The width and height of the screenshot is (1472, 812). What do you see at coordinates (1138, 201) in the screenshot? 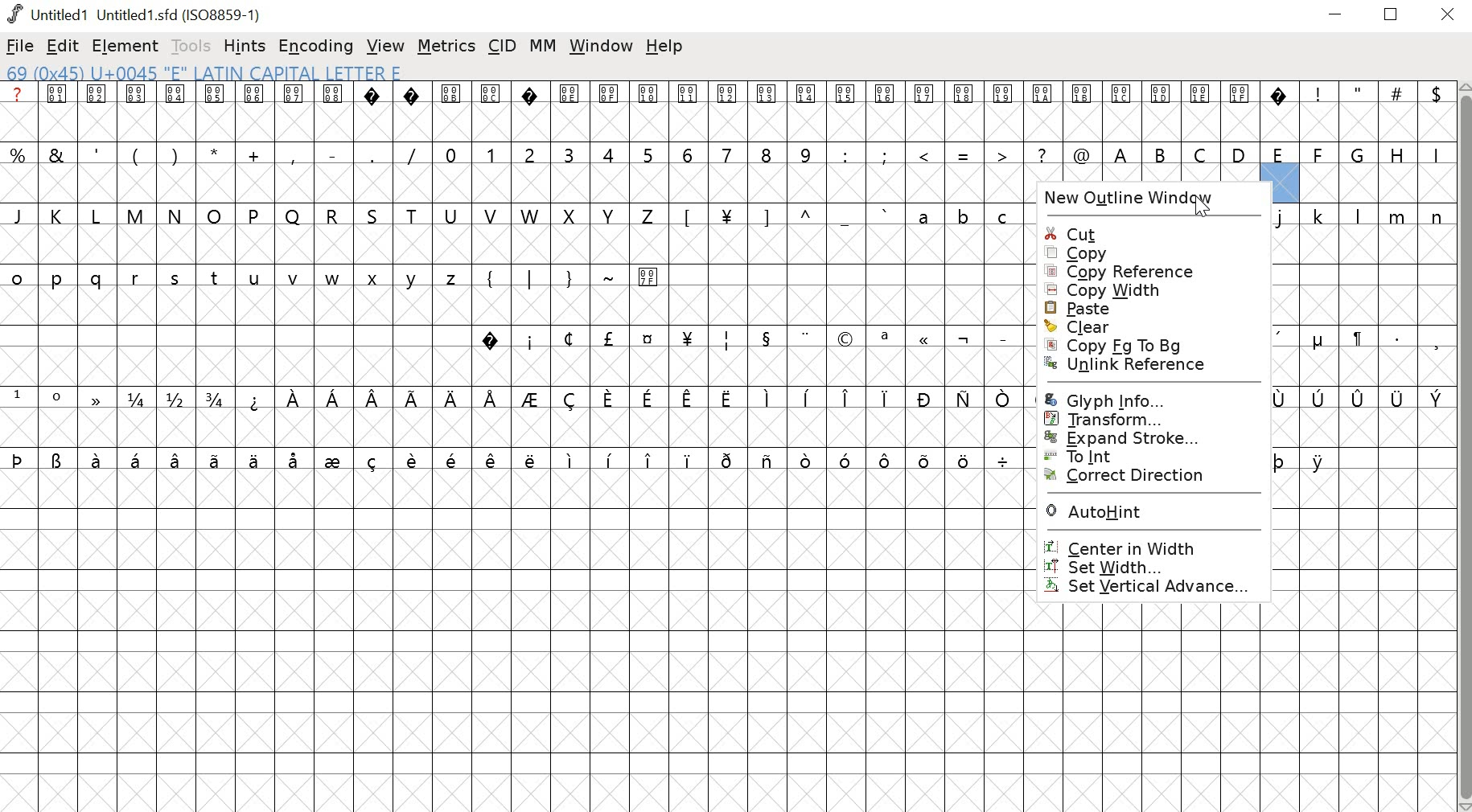
I see `NEW OUTLINE WINDOW` at bounding box center [1138, 201].